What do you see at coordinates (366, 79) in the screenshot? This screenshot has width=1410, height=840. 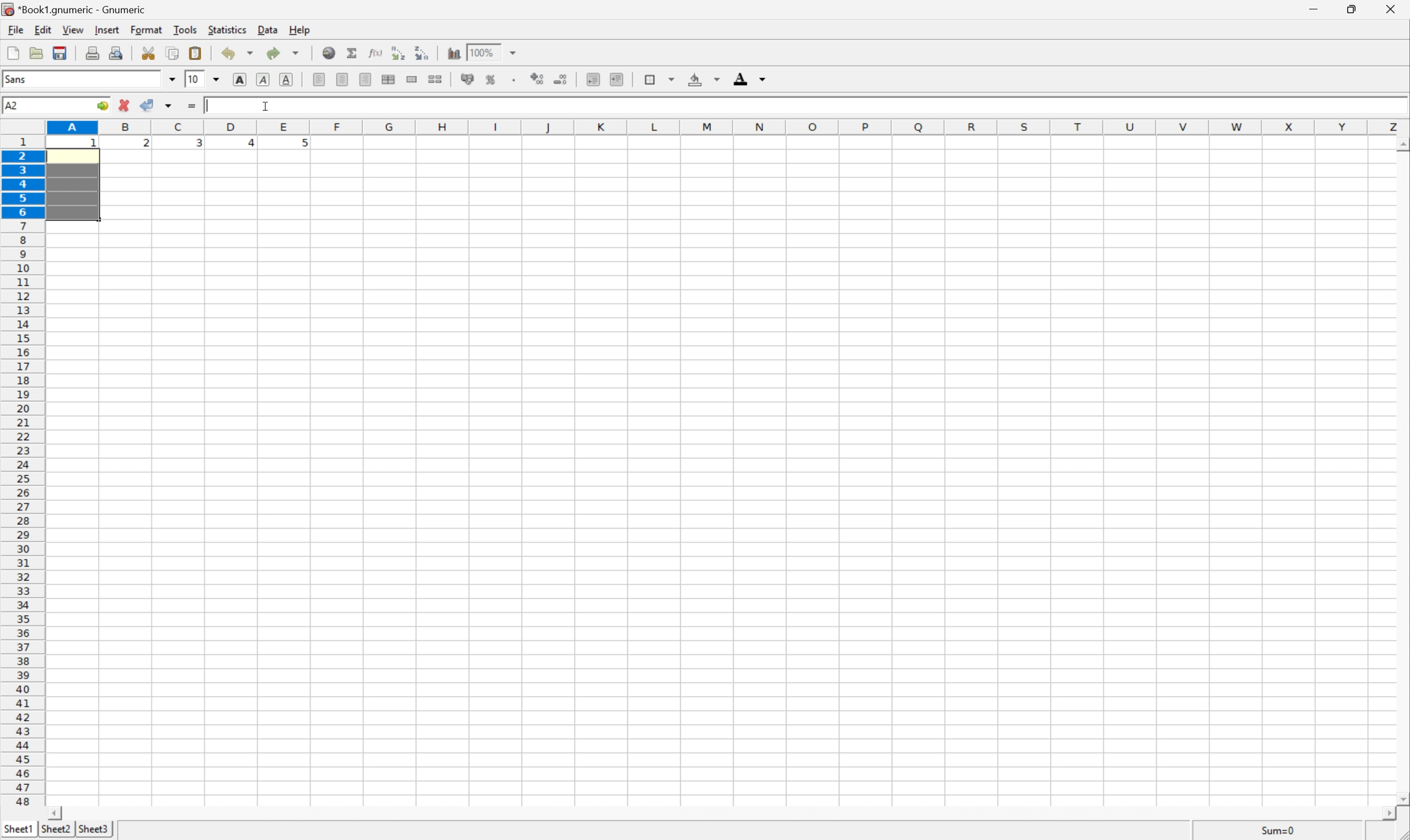 I see `align right` at bounding box center [366, 79].